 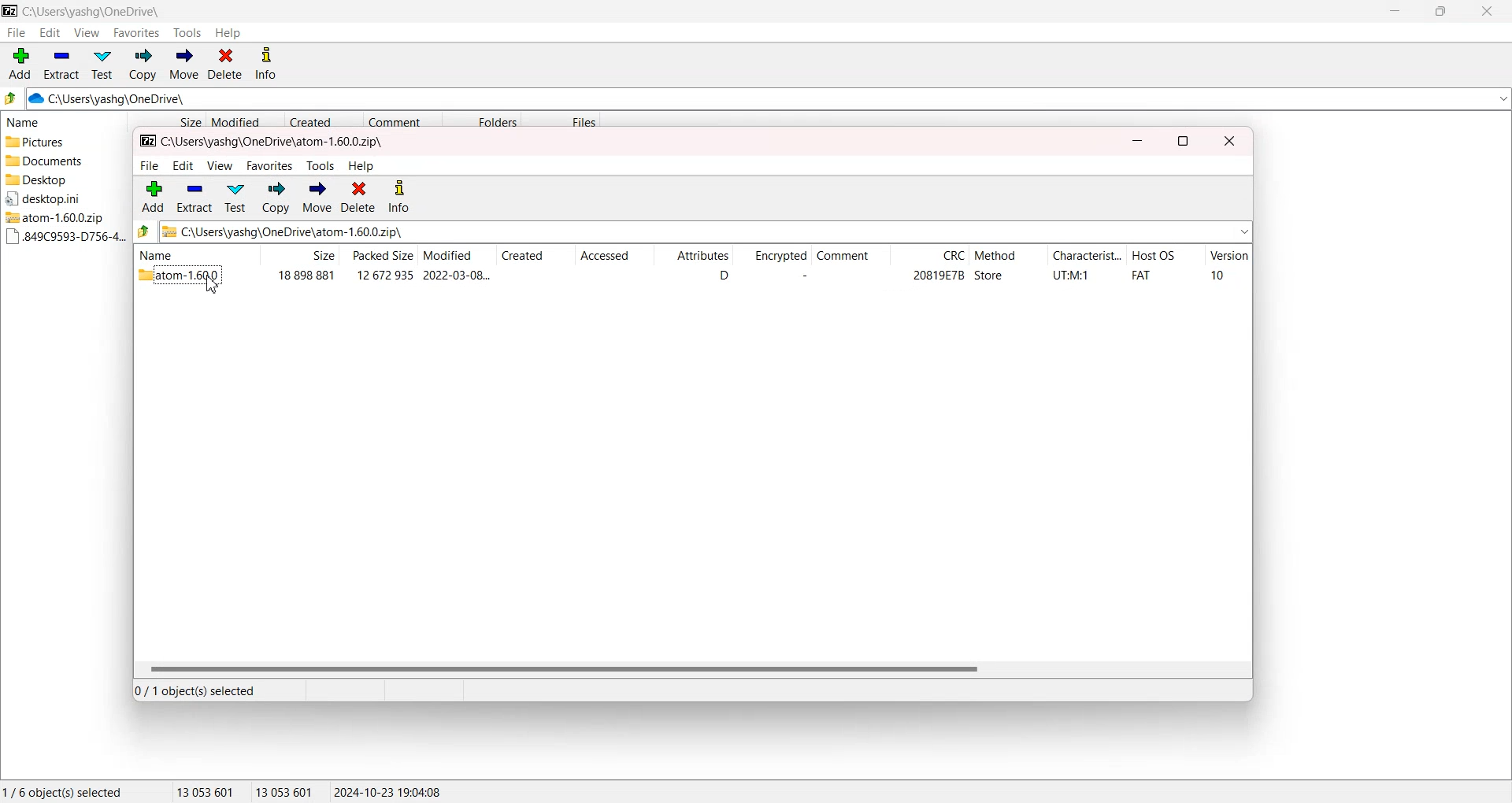 I want to click on test, so click(x=235, y=198).